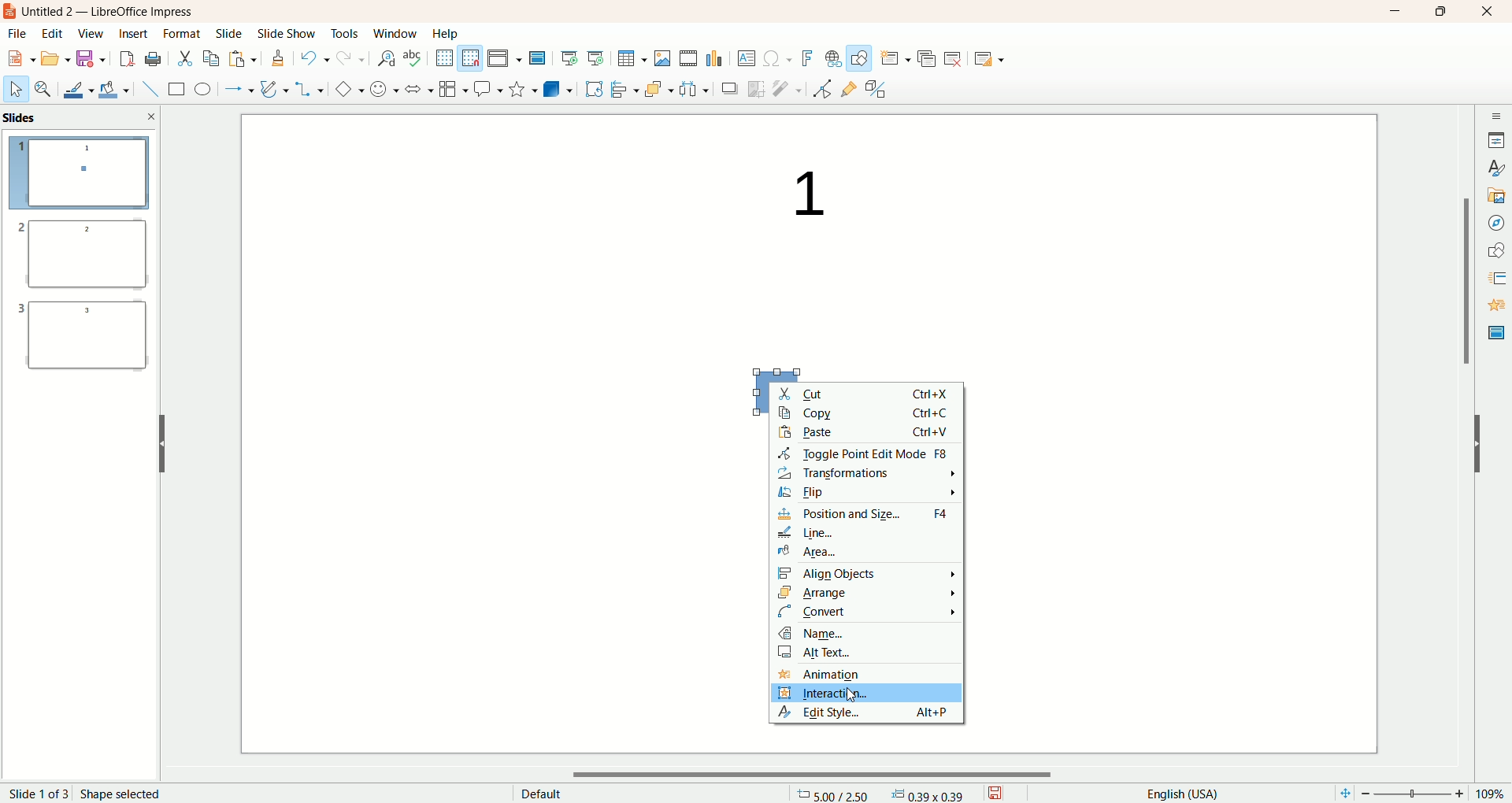 The image size is (1512, 803). Describe the element at coordinates (848, 90) in the screenshot. I see `gluepoint function` at that location.